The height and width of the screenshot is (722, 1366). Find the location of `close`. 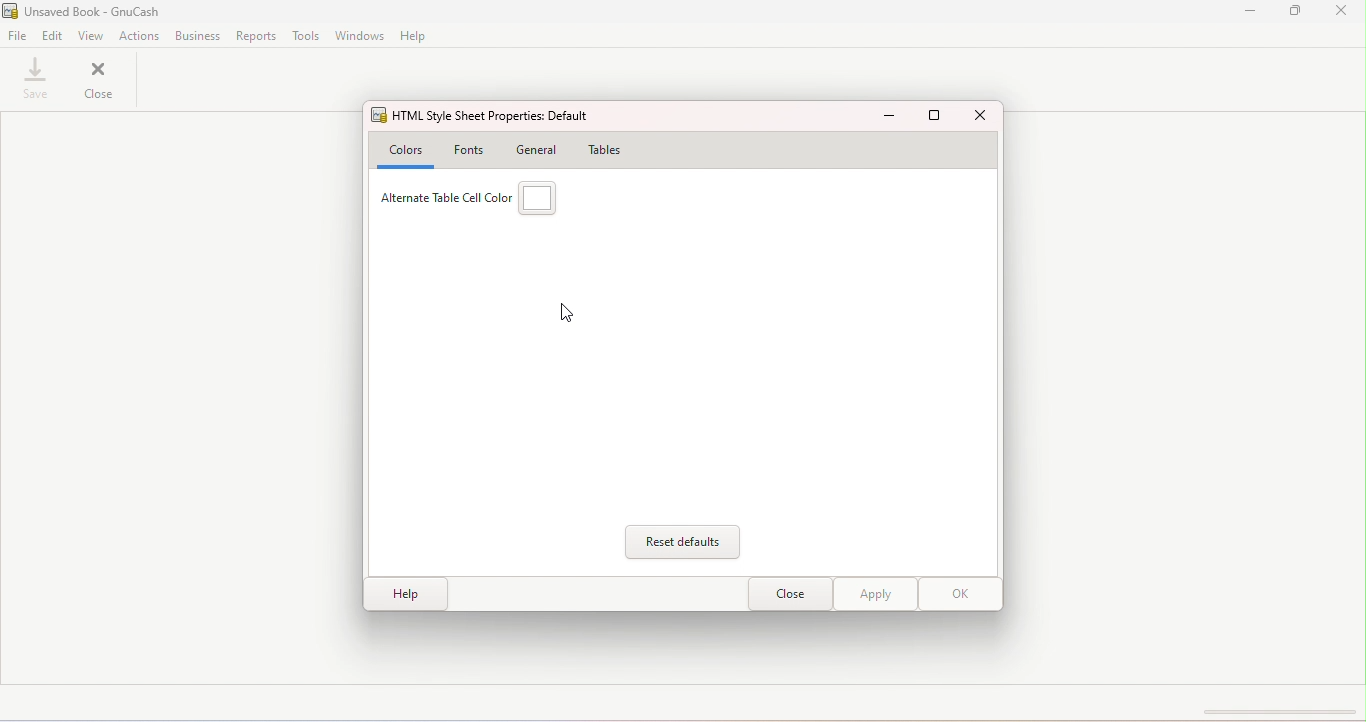

close is located at coordinates (791, 594).